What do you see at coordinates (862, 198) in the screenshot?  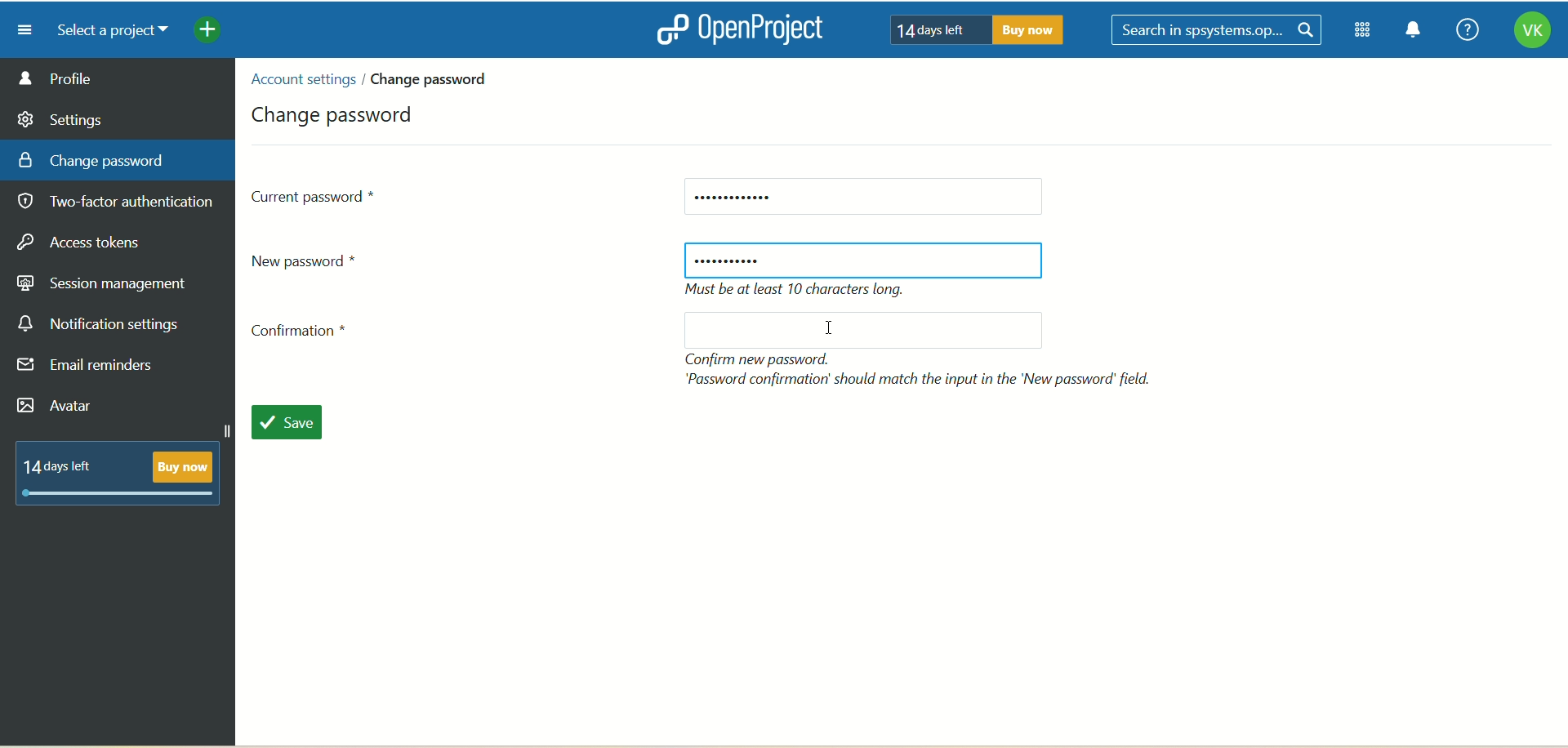 I see `current password` at bounding box center [862, 198].